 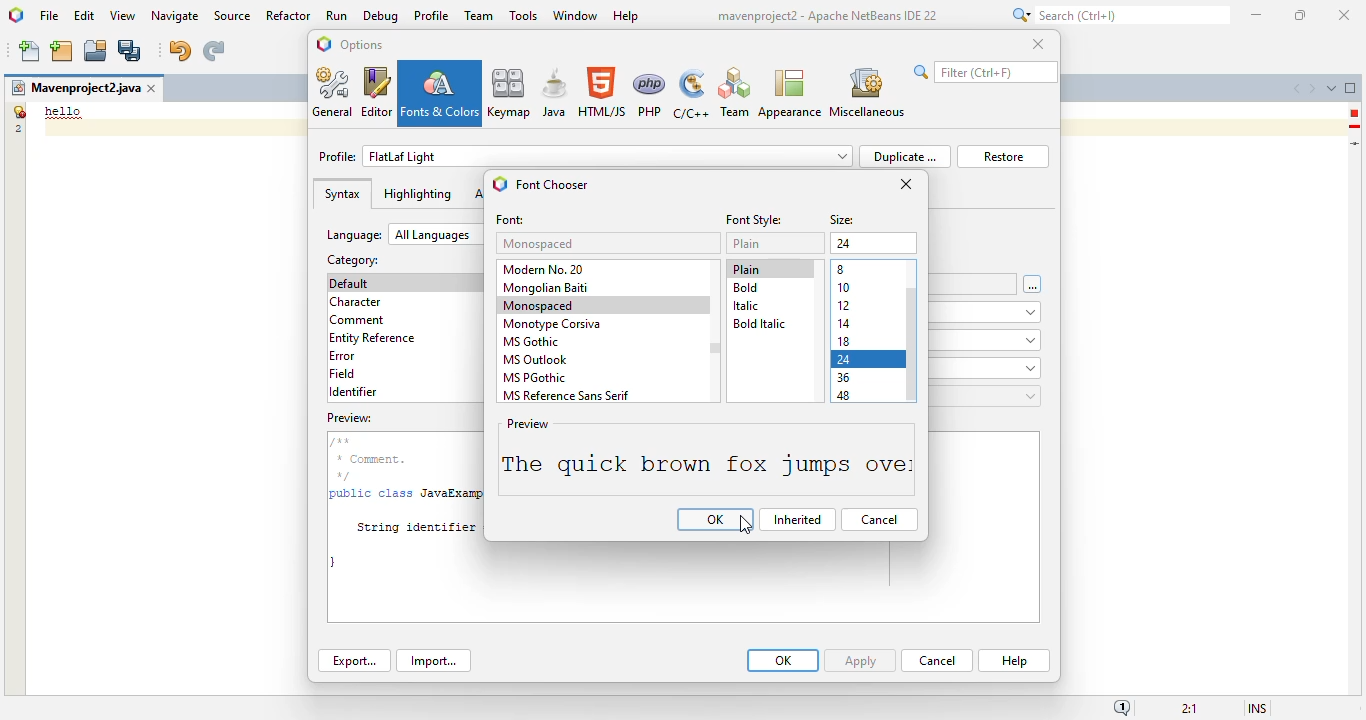 I want to click on Inherited, so click(x=798, y=520).